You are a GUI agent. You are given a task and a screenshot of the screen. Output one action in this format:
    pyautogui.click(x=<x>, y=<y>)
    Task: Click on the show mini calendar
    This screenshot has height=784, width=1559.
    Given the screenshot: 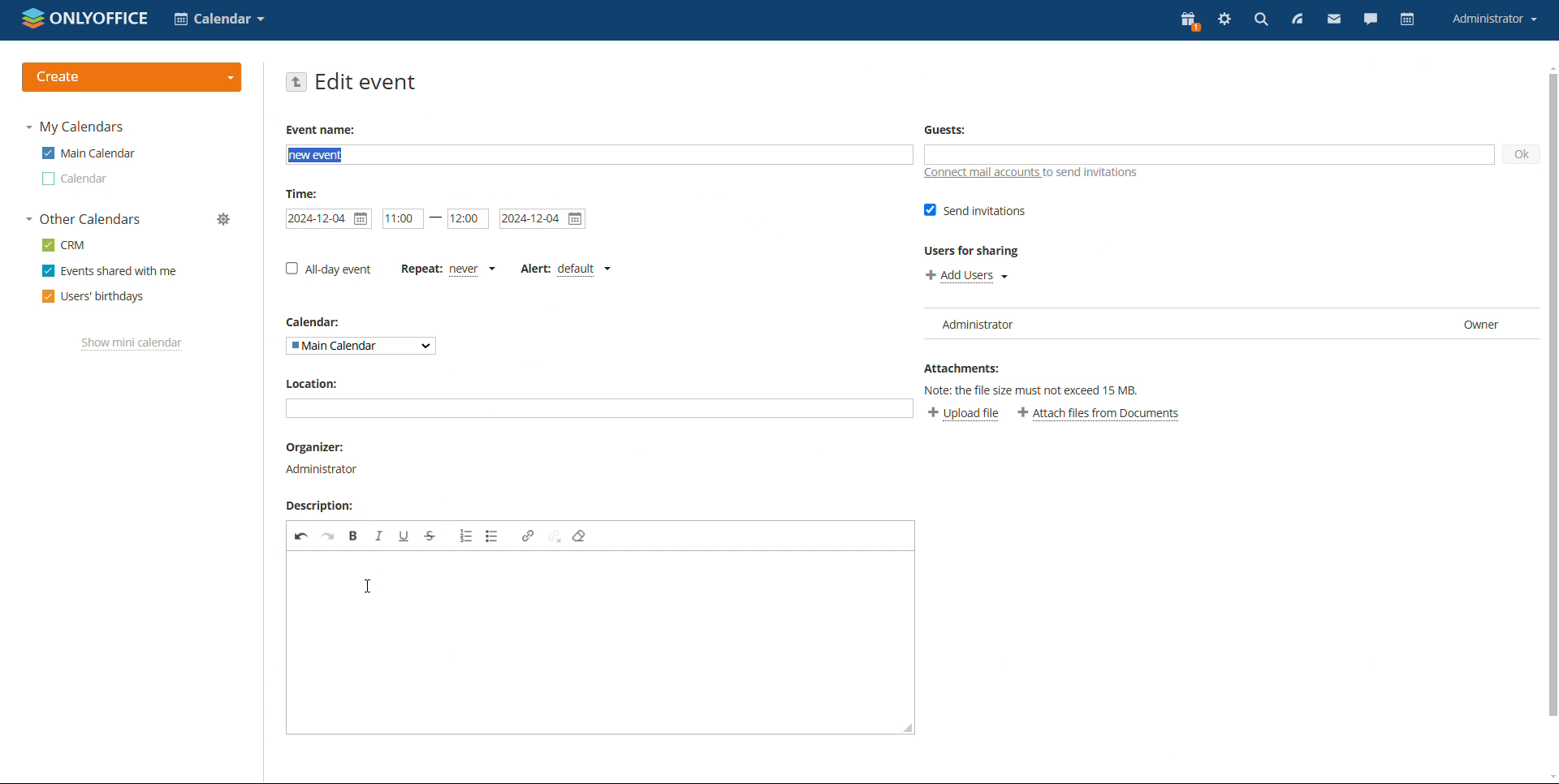 What is the action you would take?
    pyautogui.click(x=132, y=344)
    